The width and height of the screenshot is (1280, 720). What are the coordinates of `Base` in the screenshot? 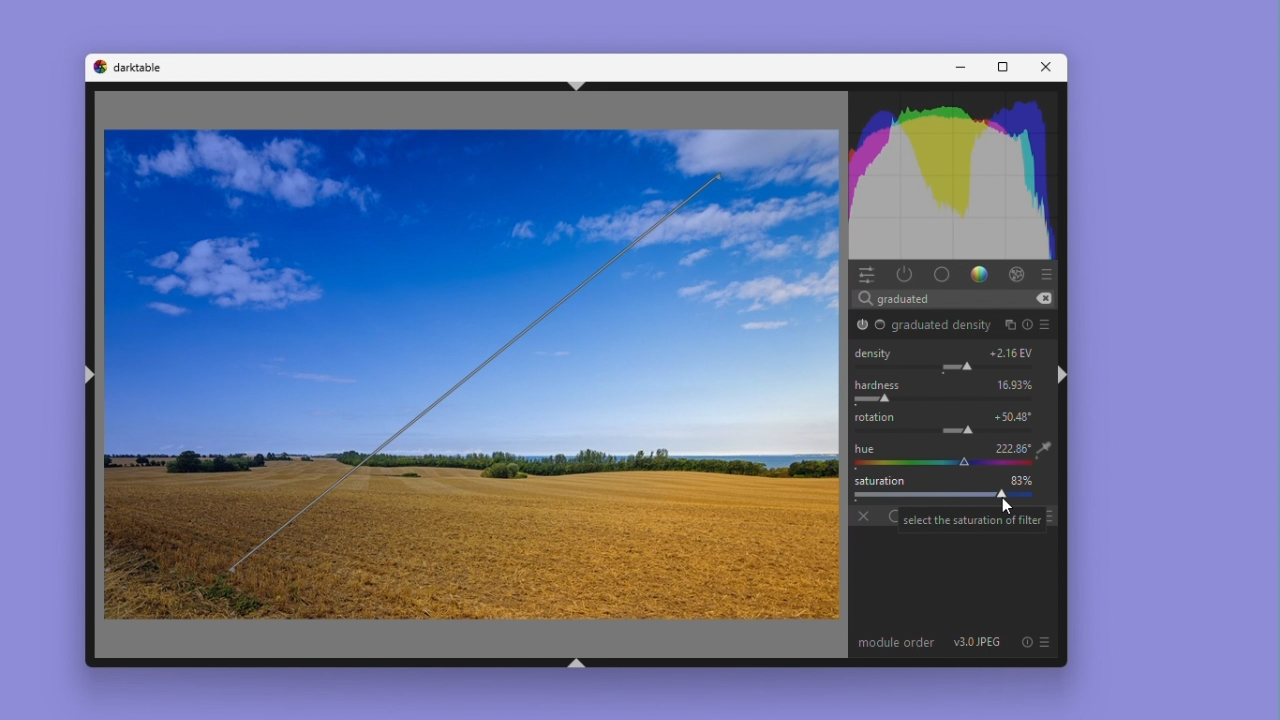 It's located at (881, 326).